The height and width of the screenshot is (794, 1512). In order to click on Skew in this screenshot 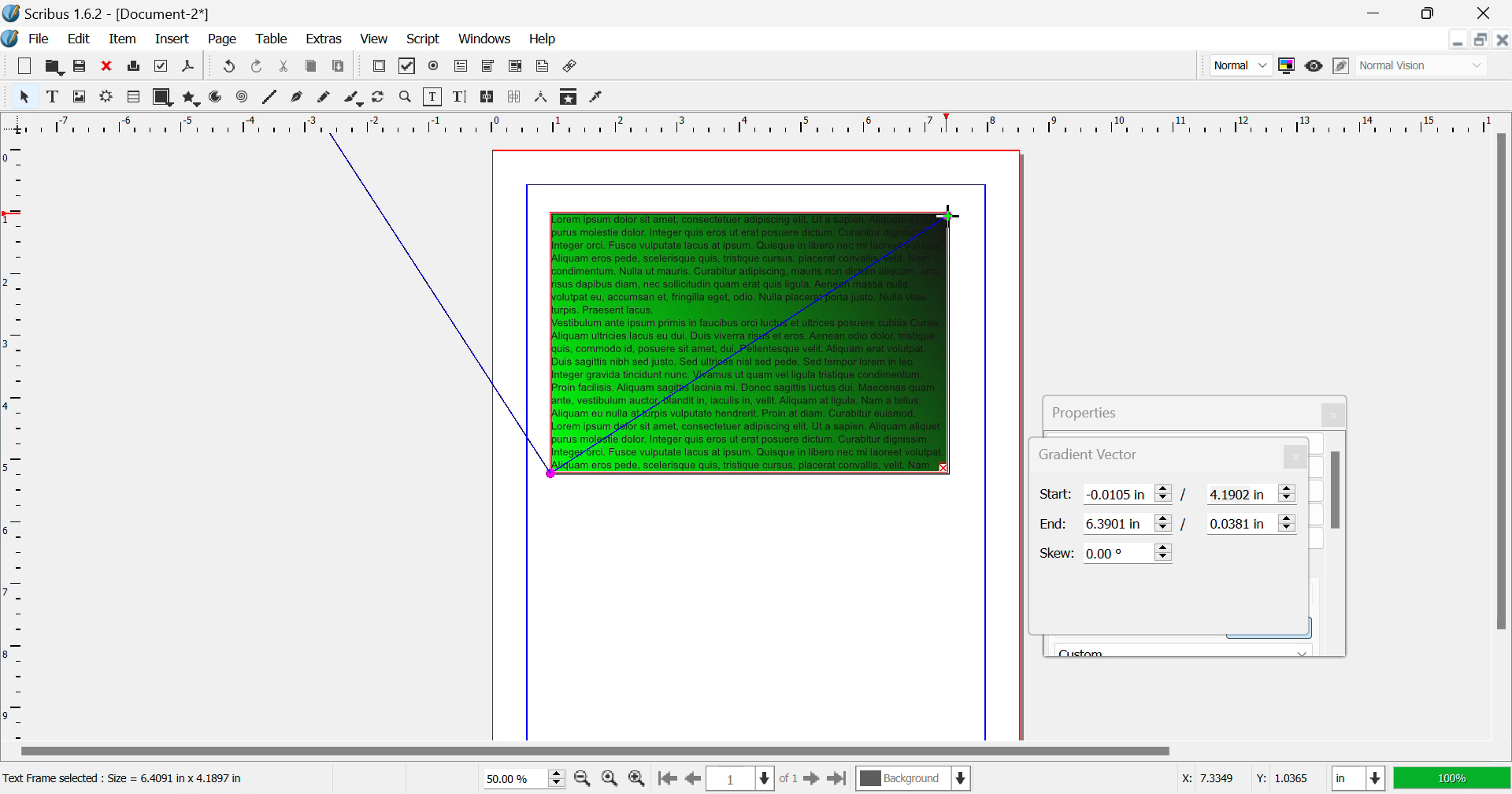, I will do `click(1107, 552)`.